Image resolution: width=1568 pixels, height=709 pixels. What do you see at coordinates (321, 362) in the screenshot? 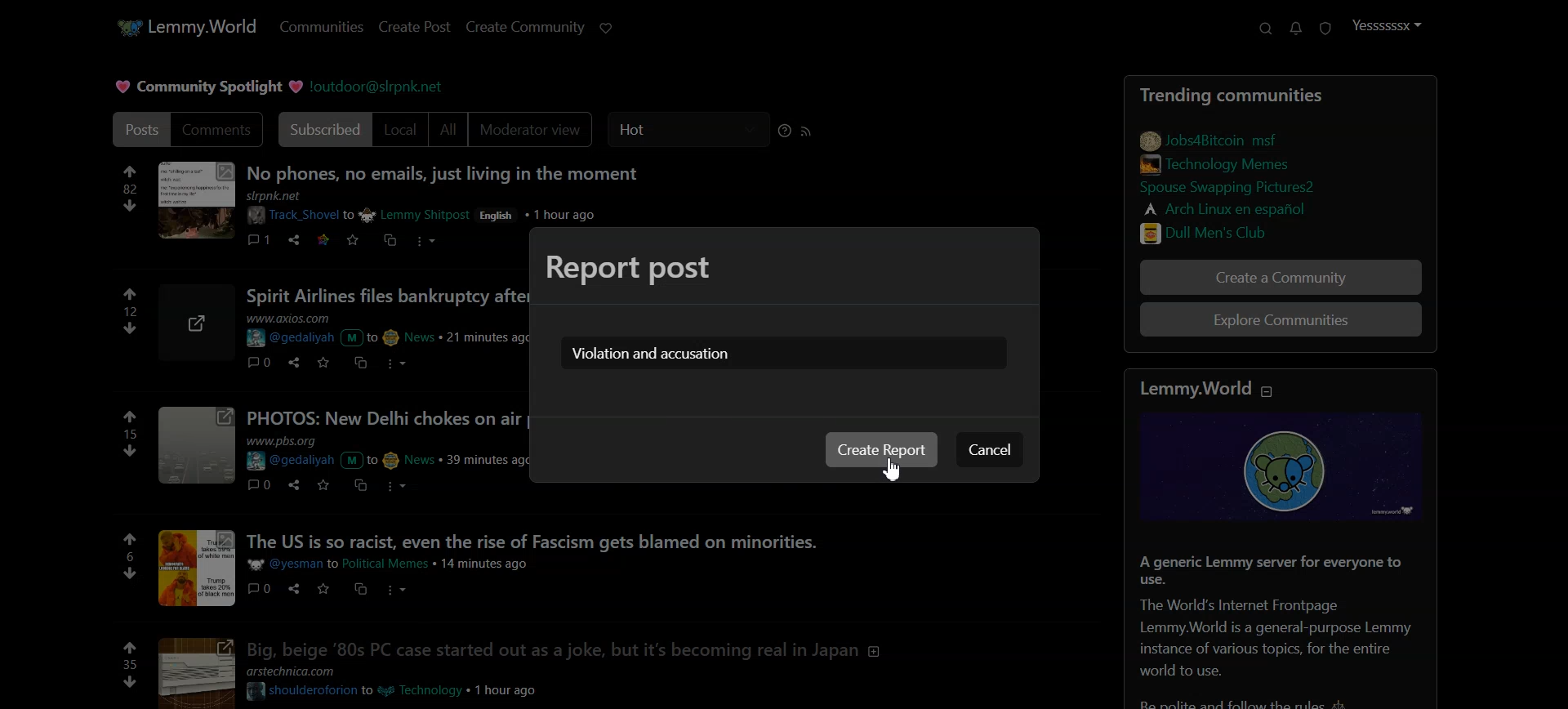
I see `save` at bounding box center [321, 362].